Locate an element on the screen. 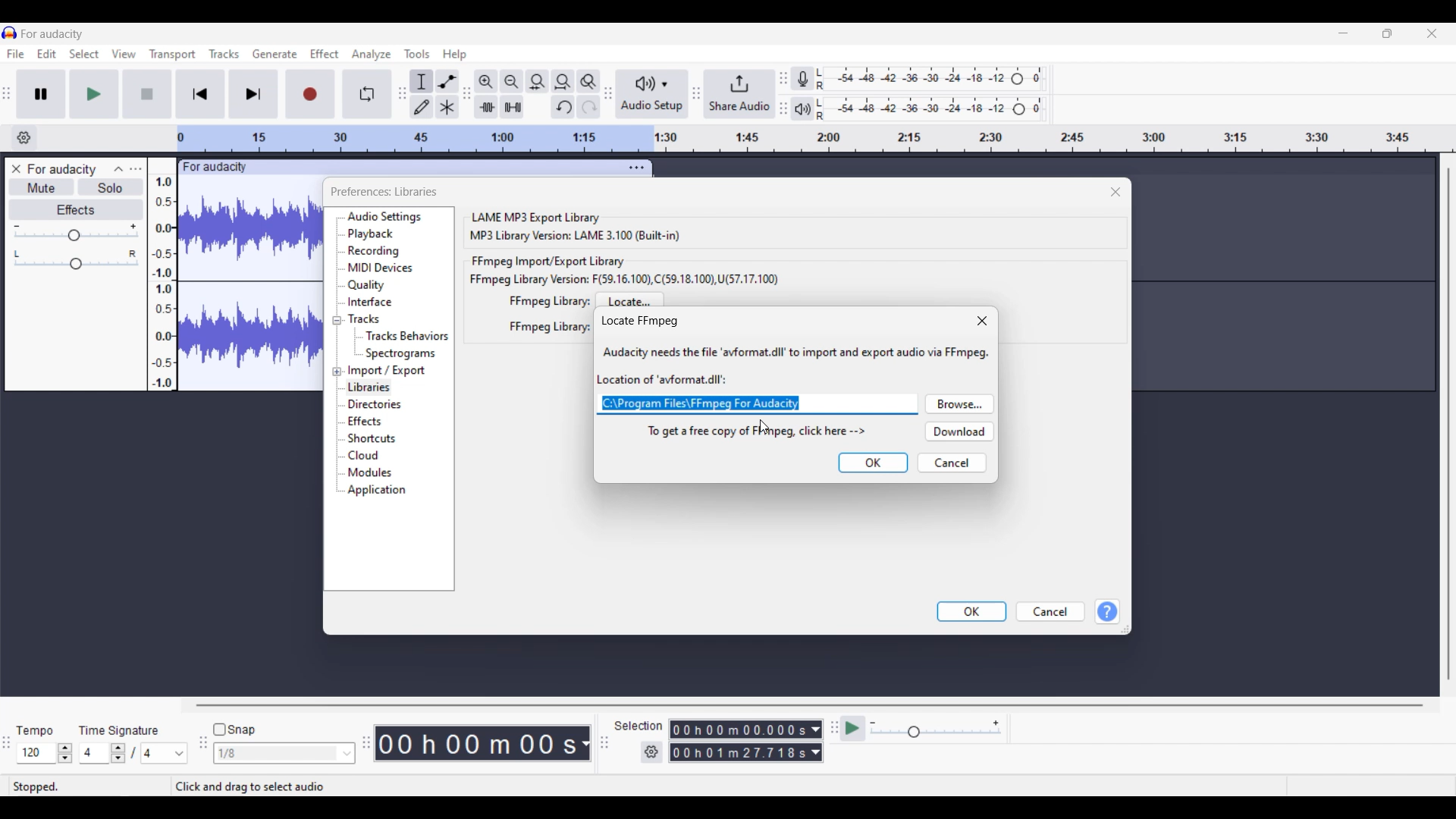  Browse is located at coordinates (959, 403).